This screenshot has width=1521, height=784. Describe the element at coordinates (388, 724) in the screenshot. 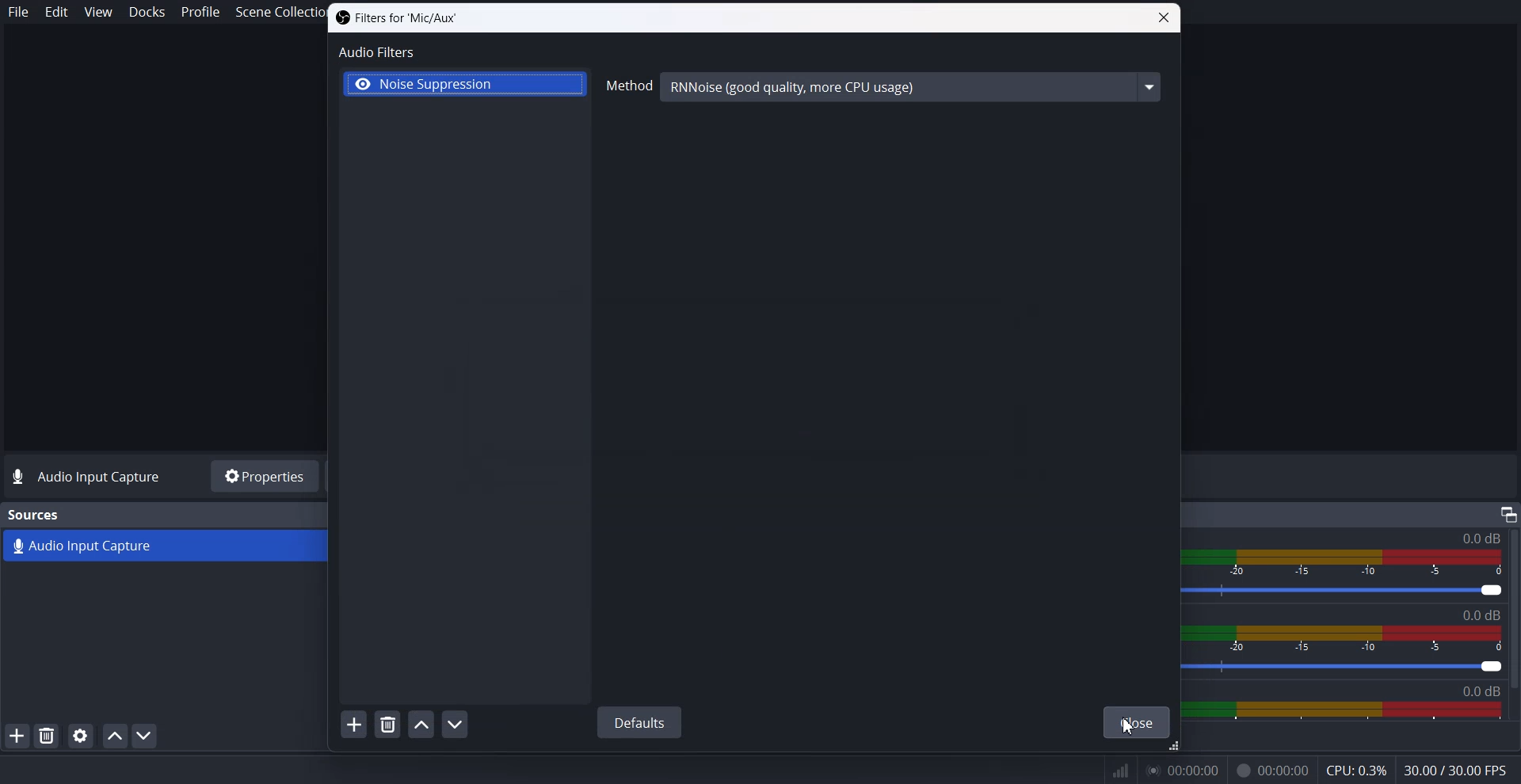

I see `Remove selected filters` at that location.